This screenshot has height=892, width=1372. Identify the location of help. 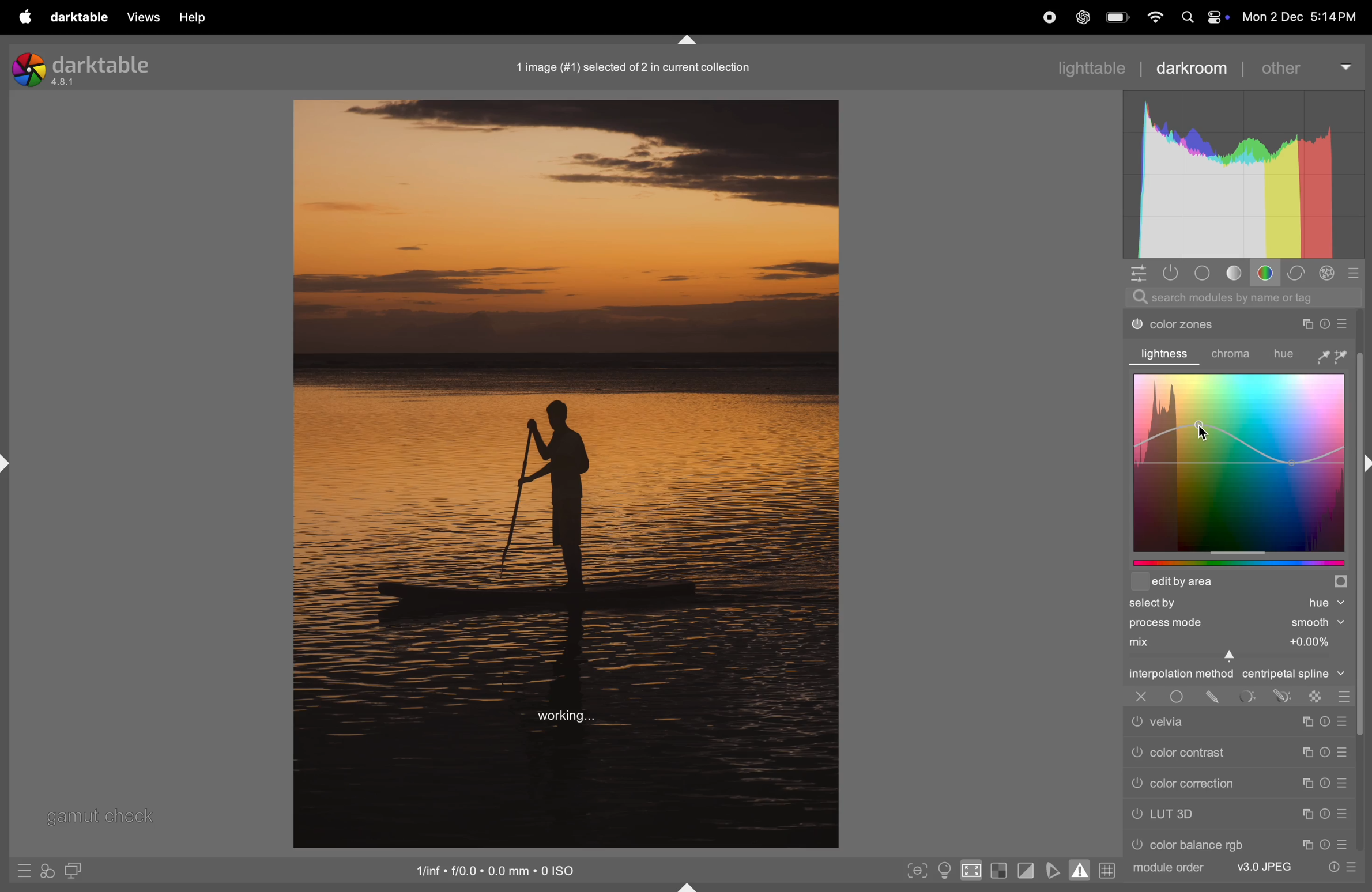
(197, 19).